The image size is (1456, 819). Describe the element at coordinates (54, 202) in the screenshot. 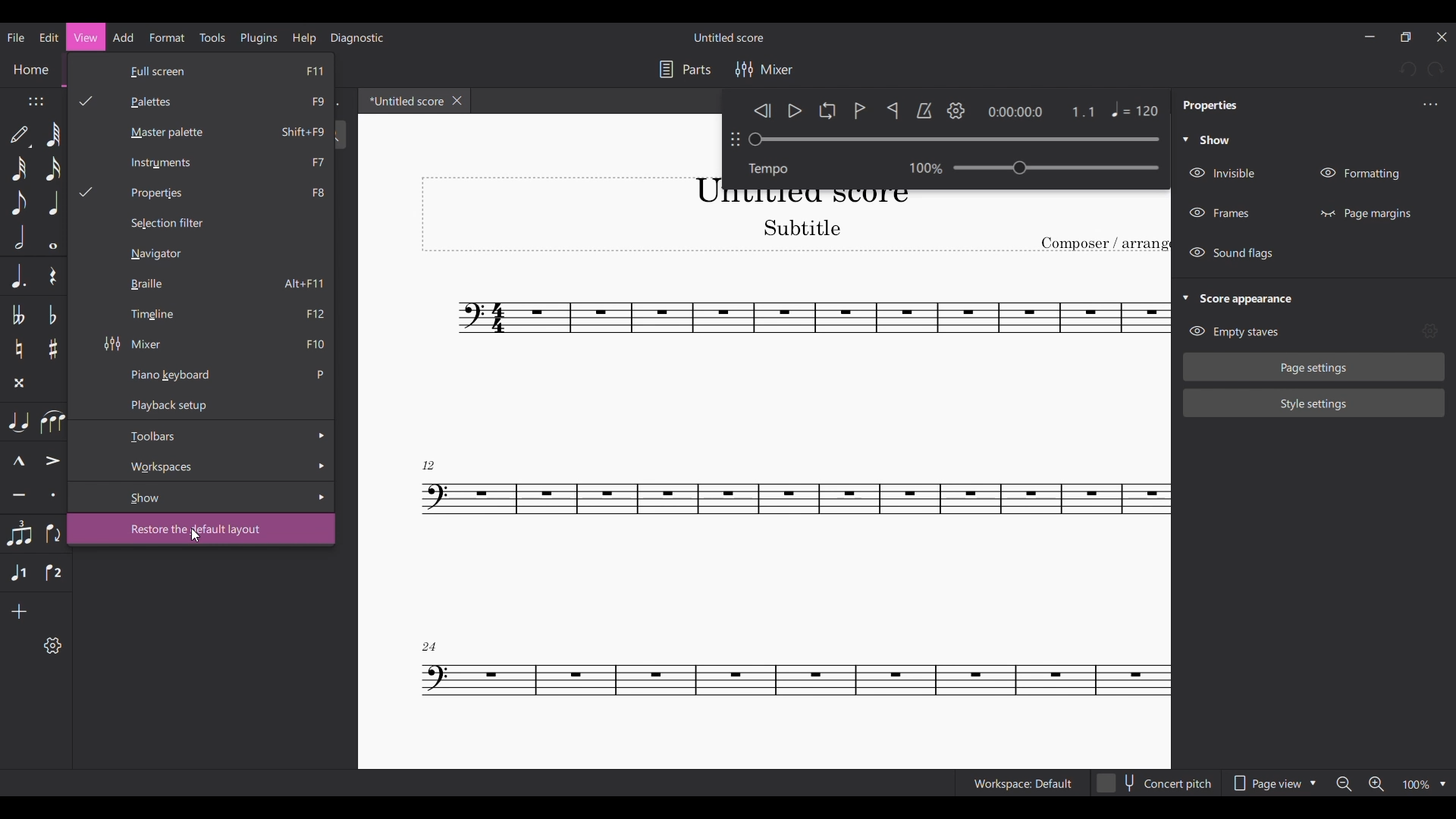

I see `Quater note` at that location.